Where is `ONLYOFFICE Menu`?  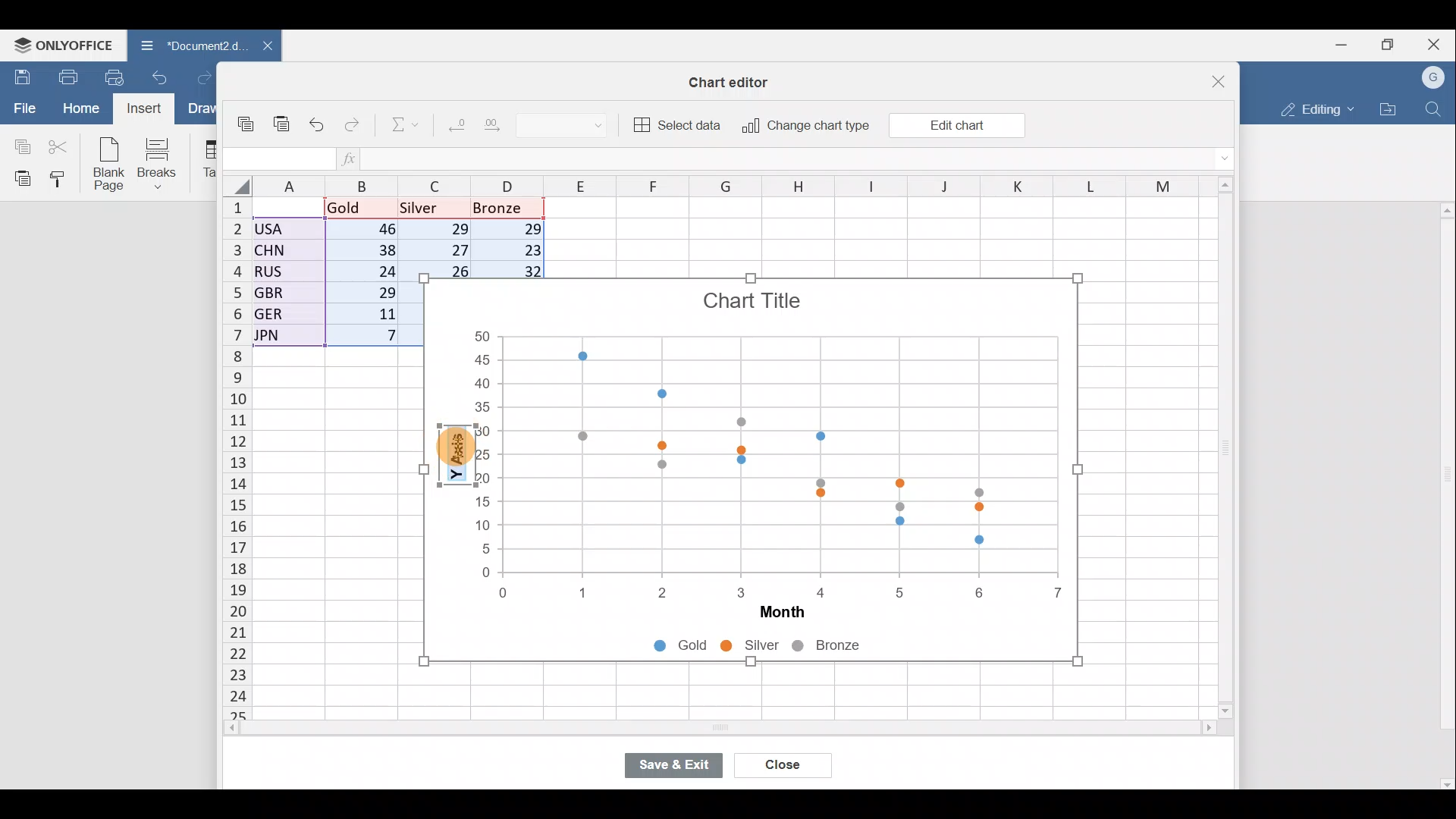 ONLYOFFICE Menu is located at coordinates (62, 44).